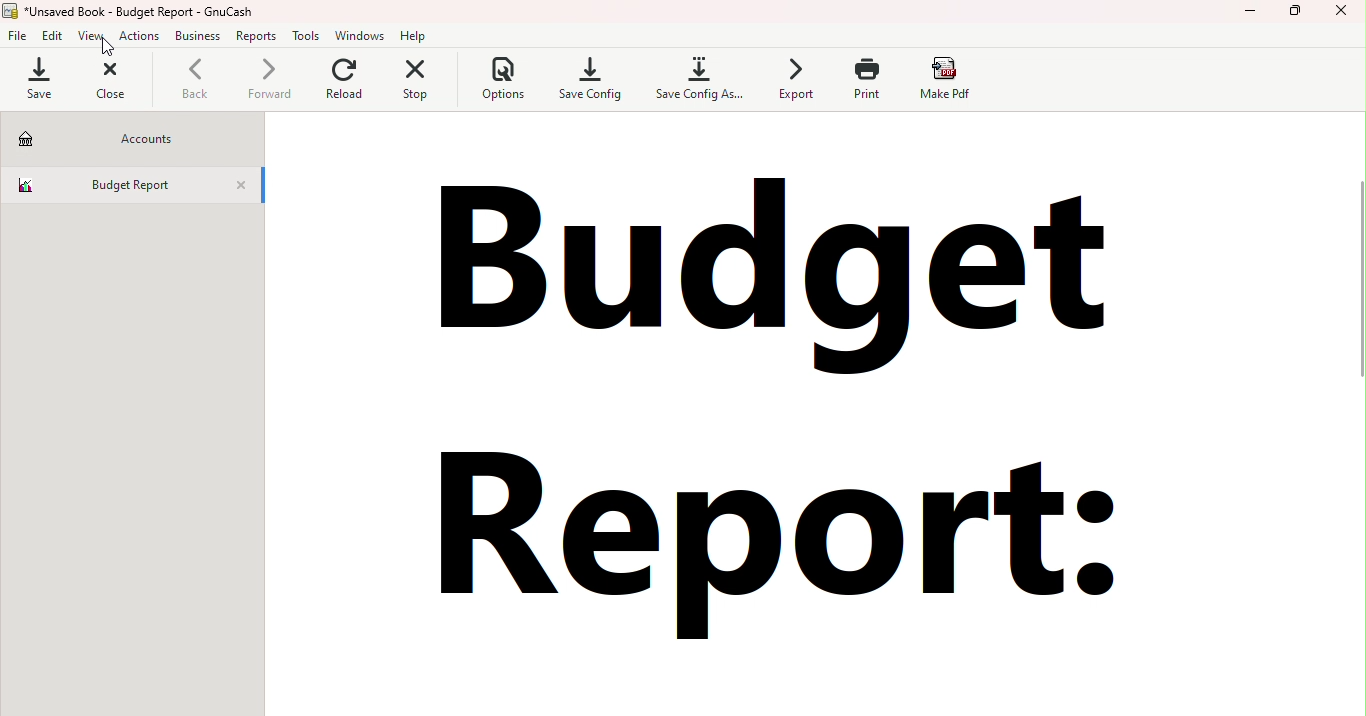  I want to click on Close, so click(241, 189).